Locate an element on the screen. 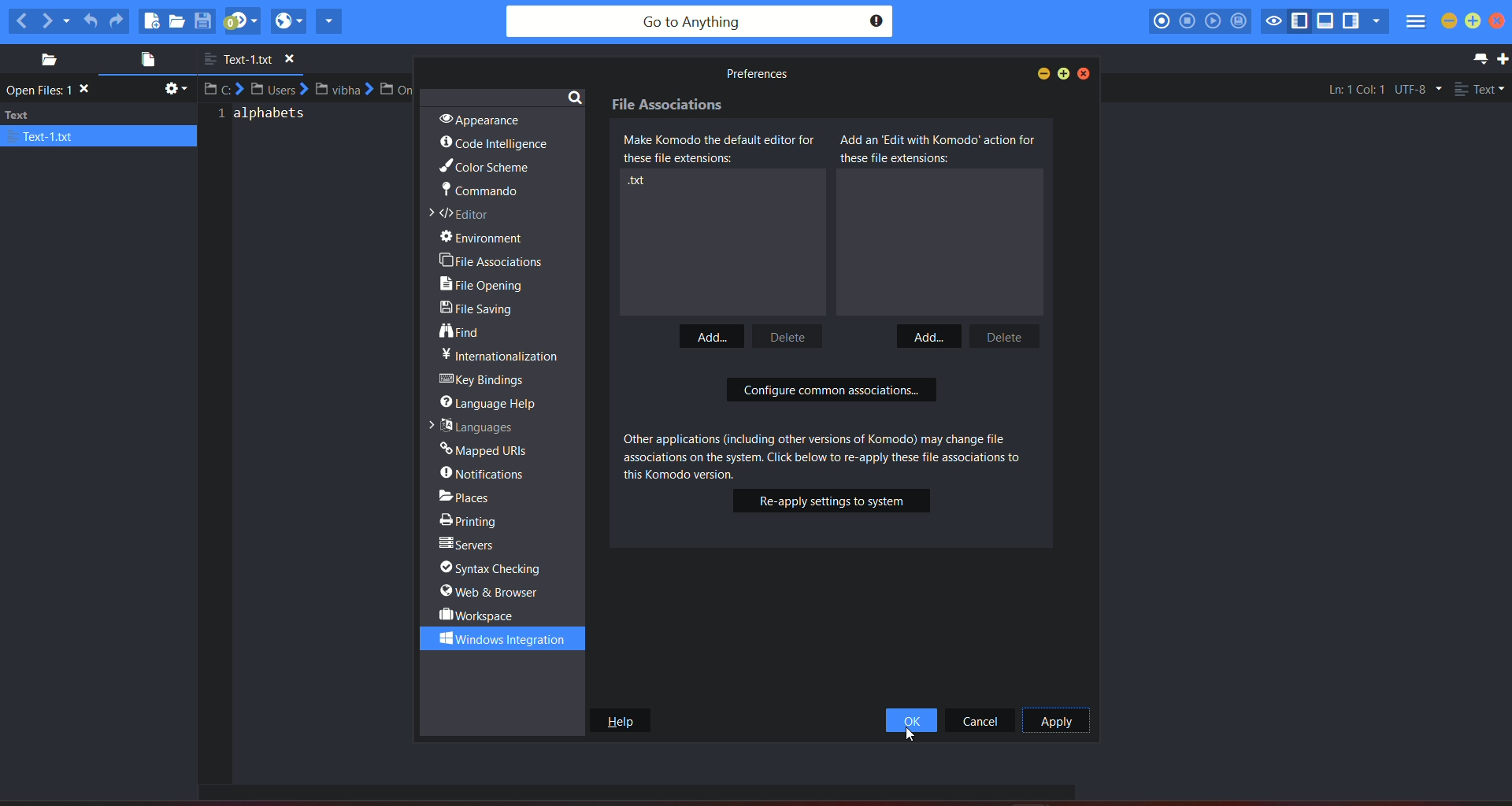 The width and height of the screenshot is (1512, 806). list all tab is located at coordinates (1477, 58).